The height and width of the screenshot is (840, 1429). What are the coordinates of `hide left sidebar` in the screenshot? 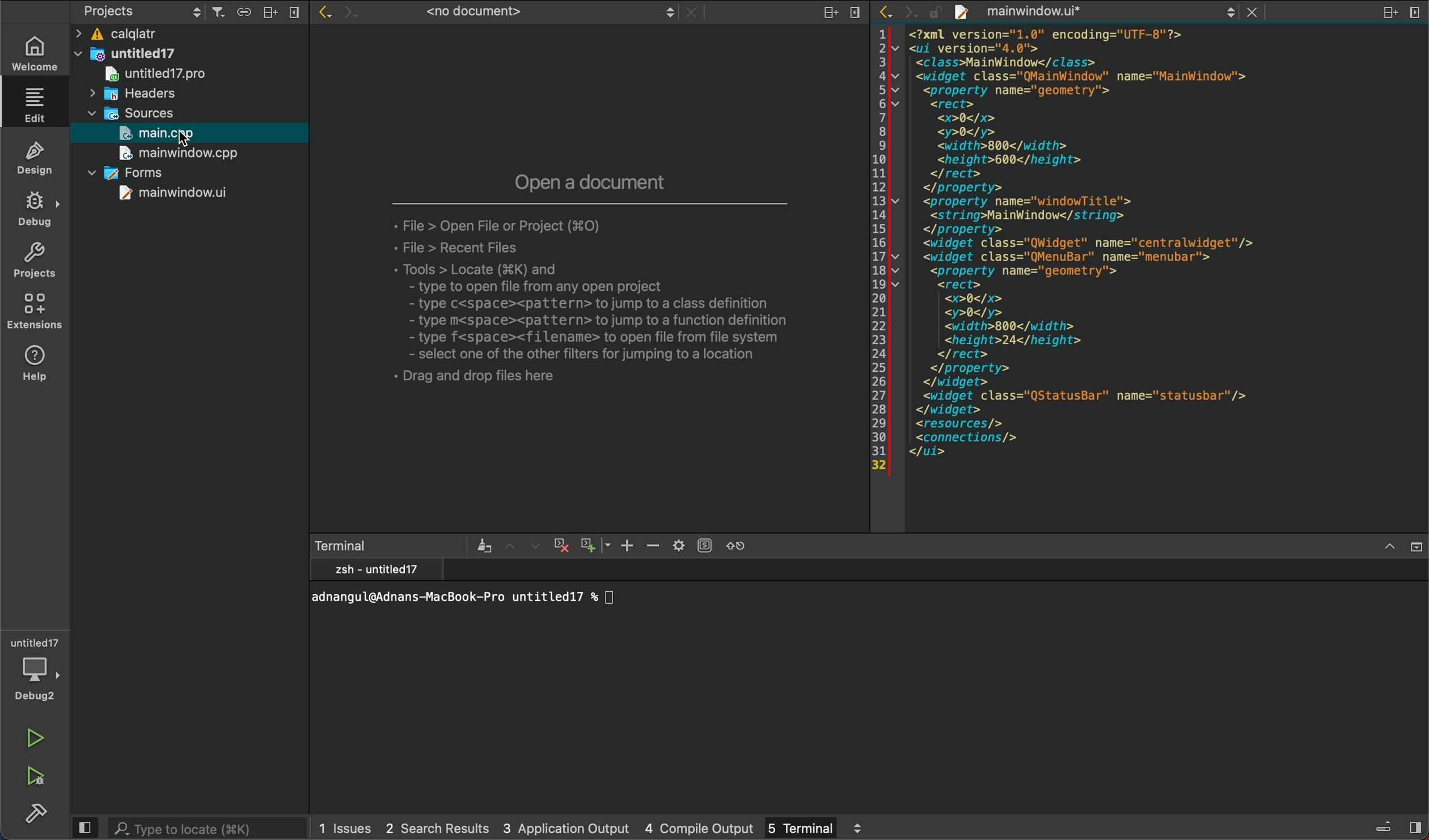 It's located at (84, 828).